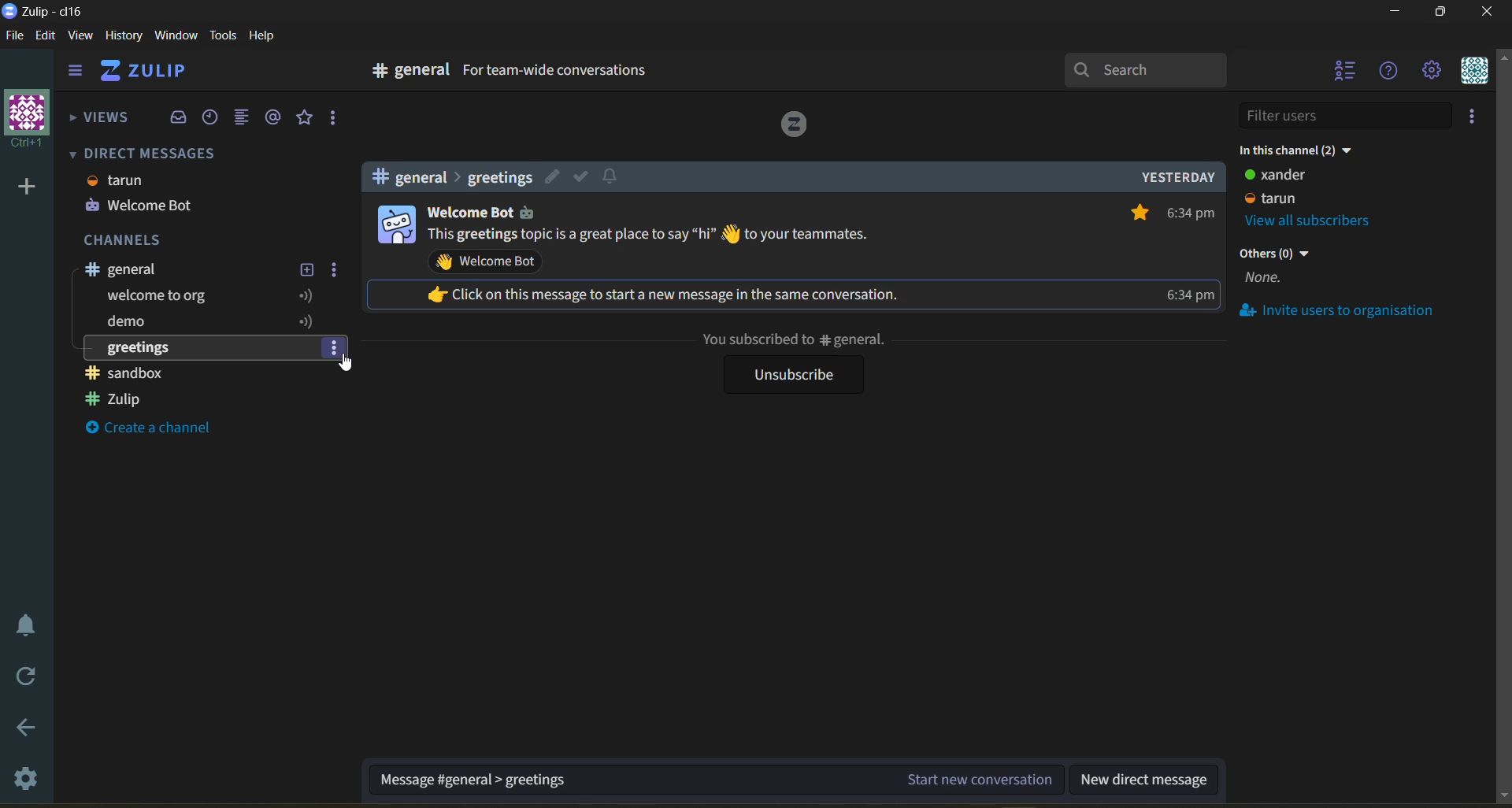 The height and width of the screenshot is (808, 1512). Describe the element at coordinates (652, 236) in the screenshot. I see `message` at that location.